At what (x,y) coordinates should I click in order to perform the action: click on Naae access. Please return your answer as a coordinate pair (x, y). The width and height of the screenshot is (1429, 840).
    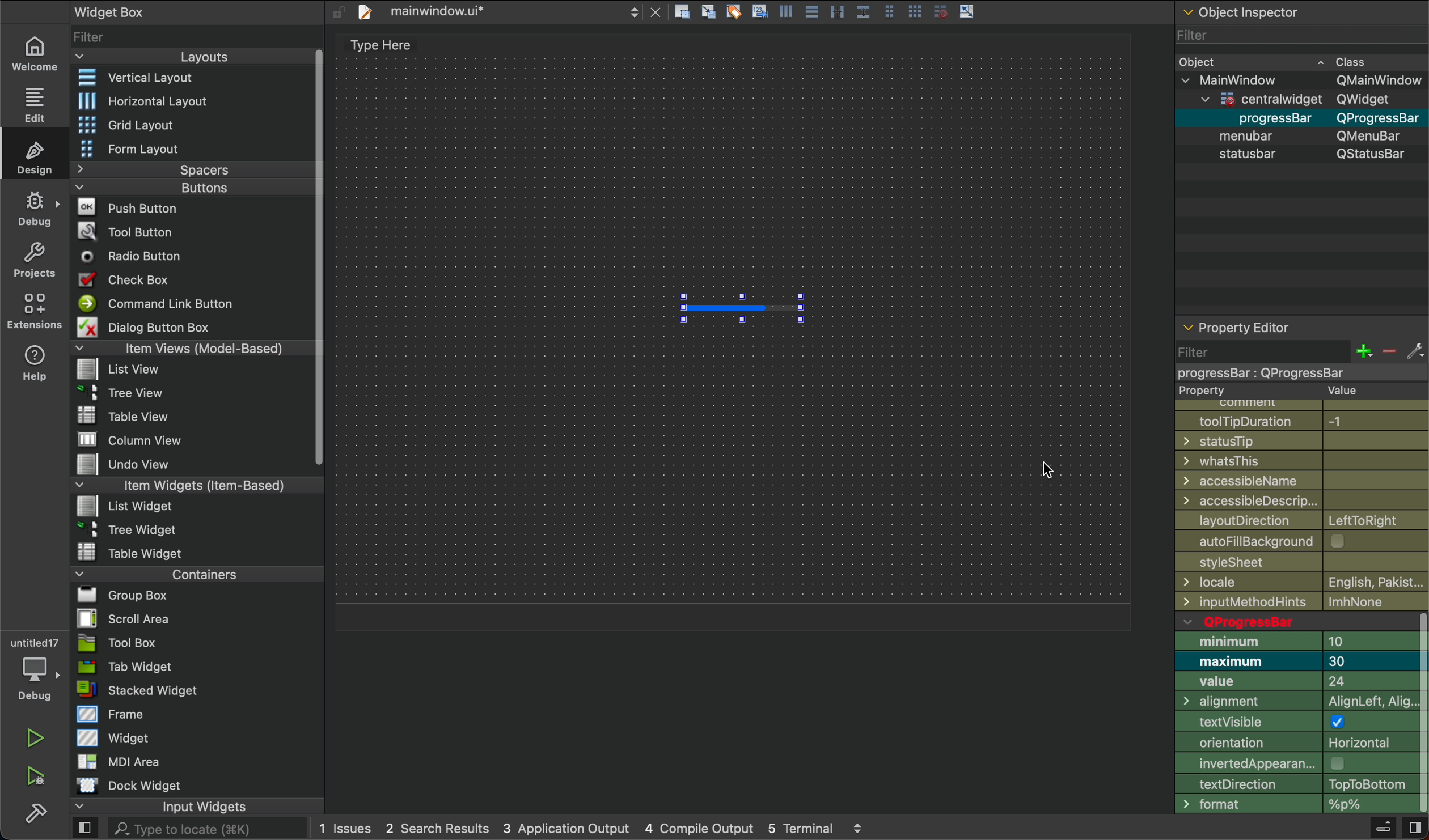
    Looking at the image, I should click on (1301, 481).